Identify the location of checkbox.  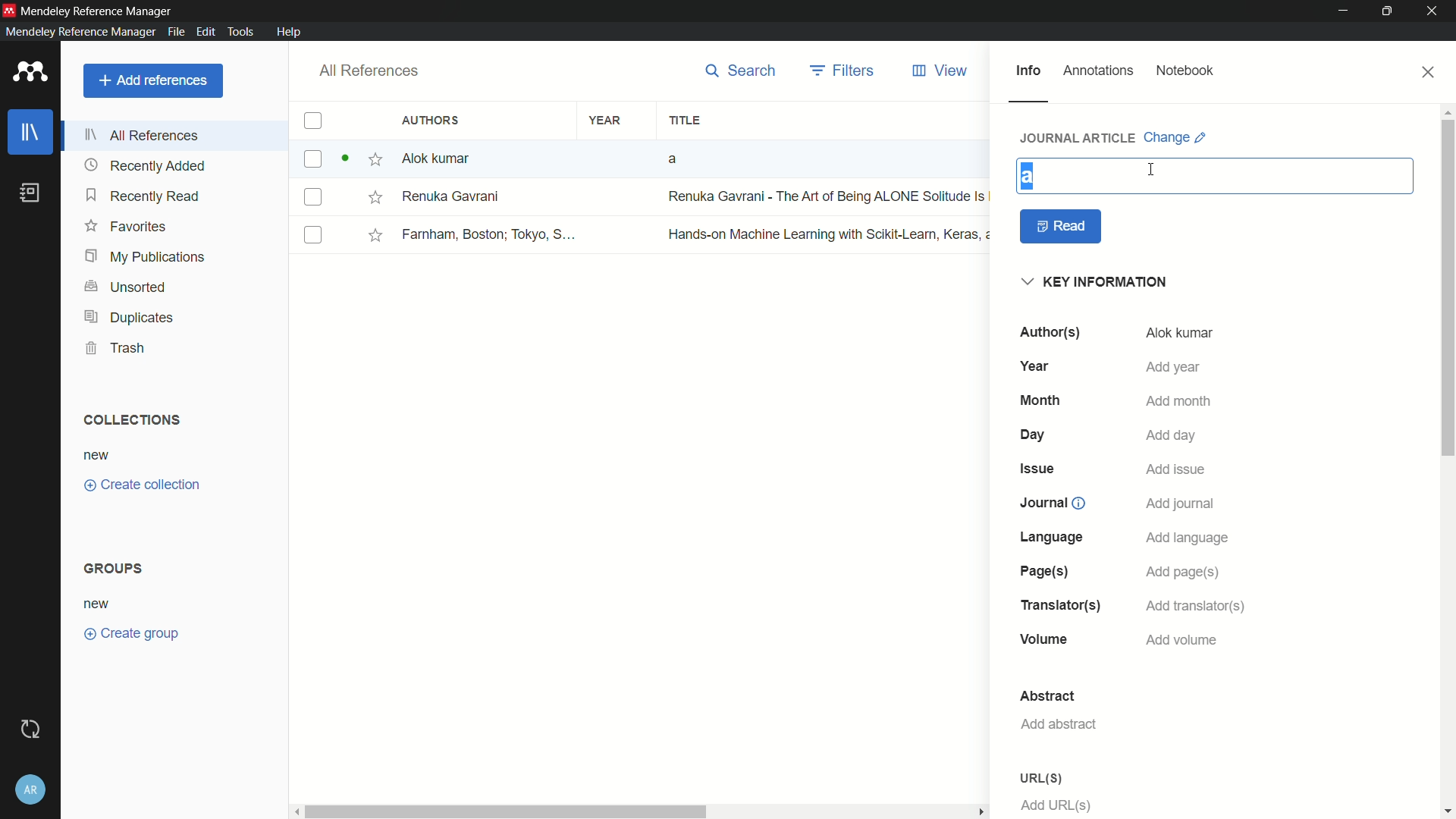
(312, 121).